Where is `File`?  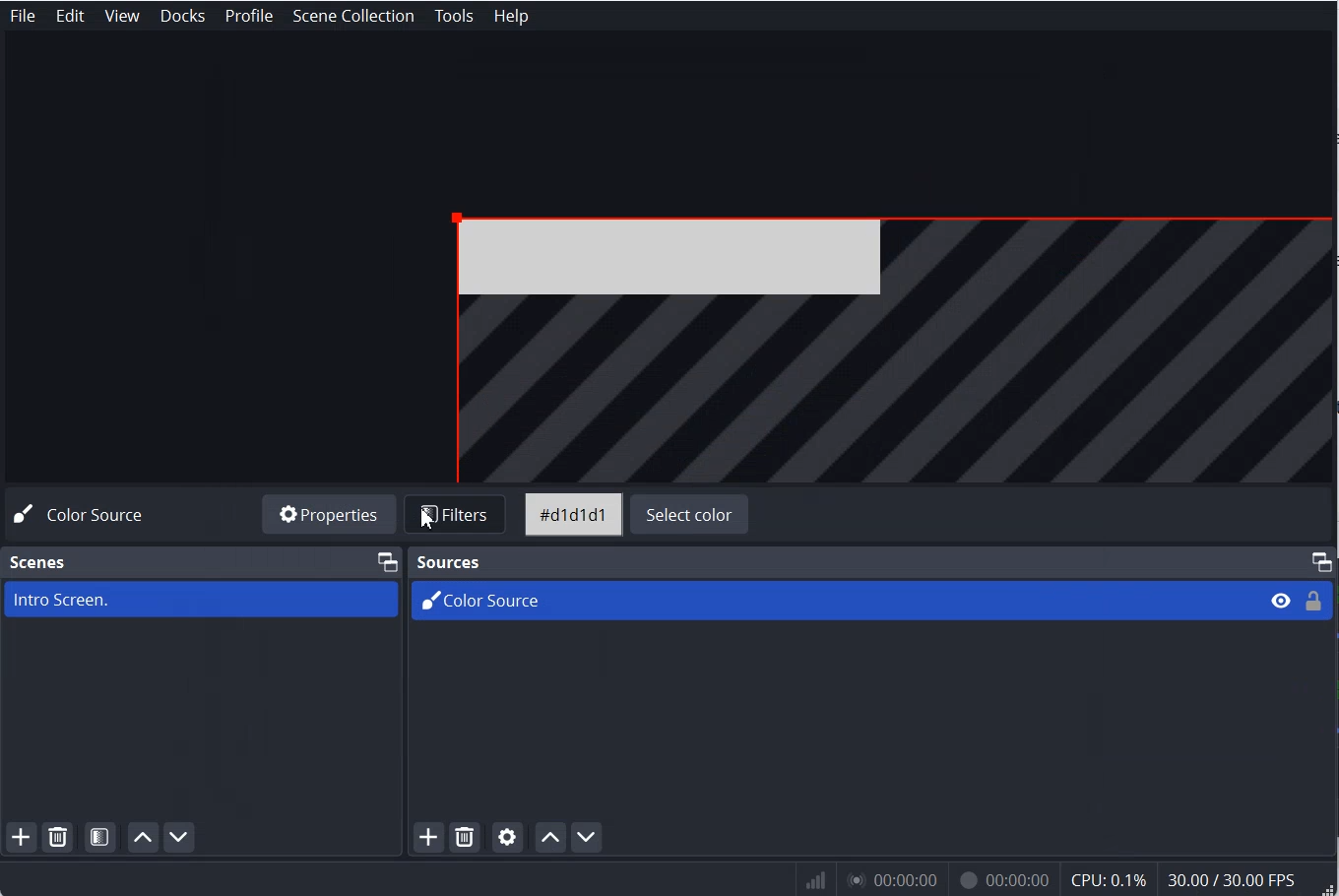 File is located at coordinates (22, 16).